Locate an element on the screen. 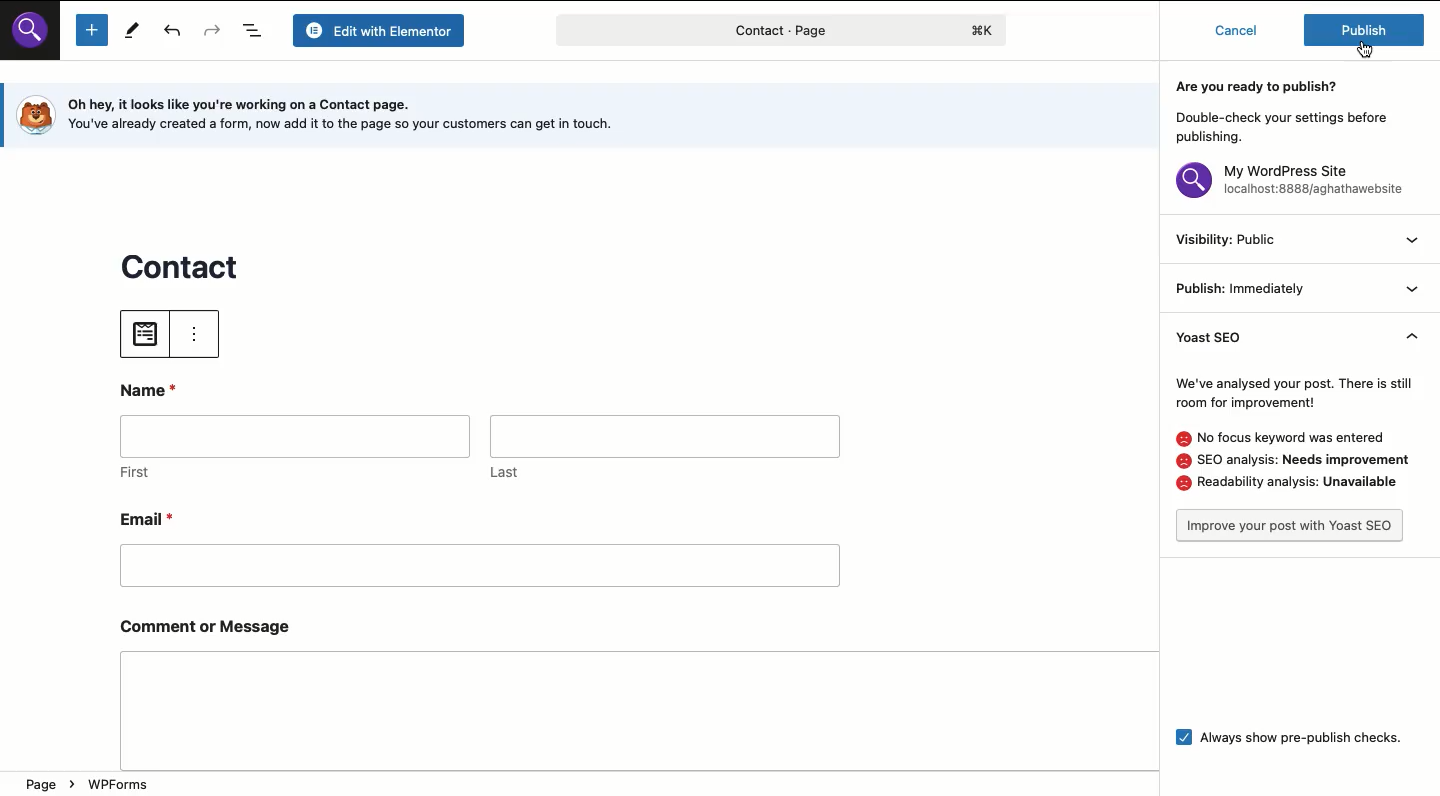 This screenshot has width=1440, height=796. Redo is located at coordinates (213, 32).